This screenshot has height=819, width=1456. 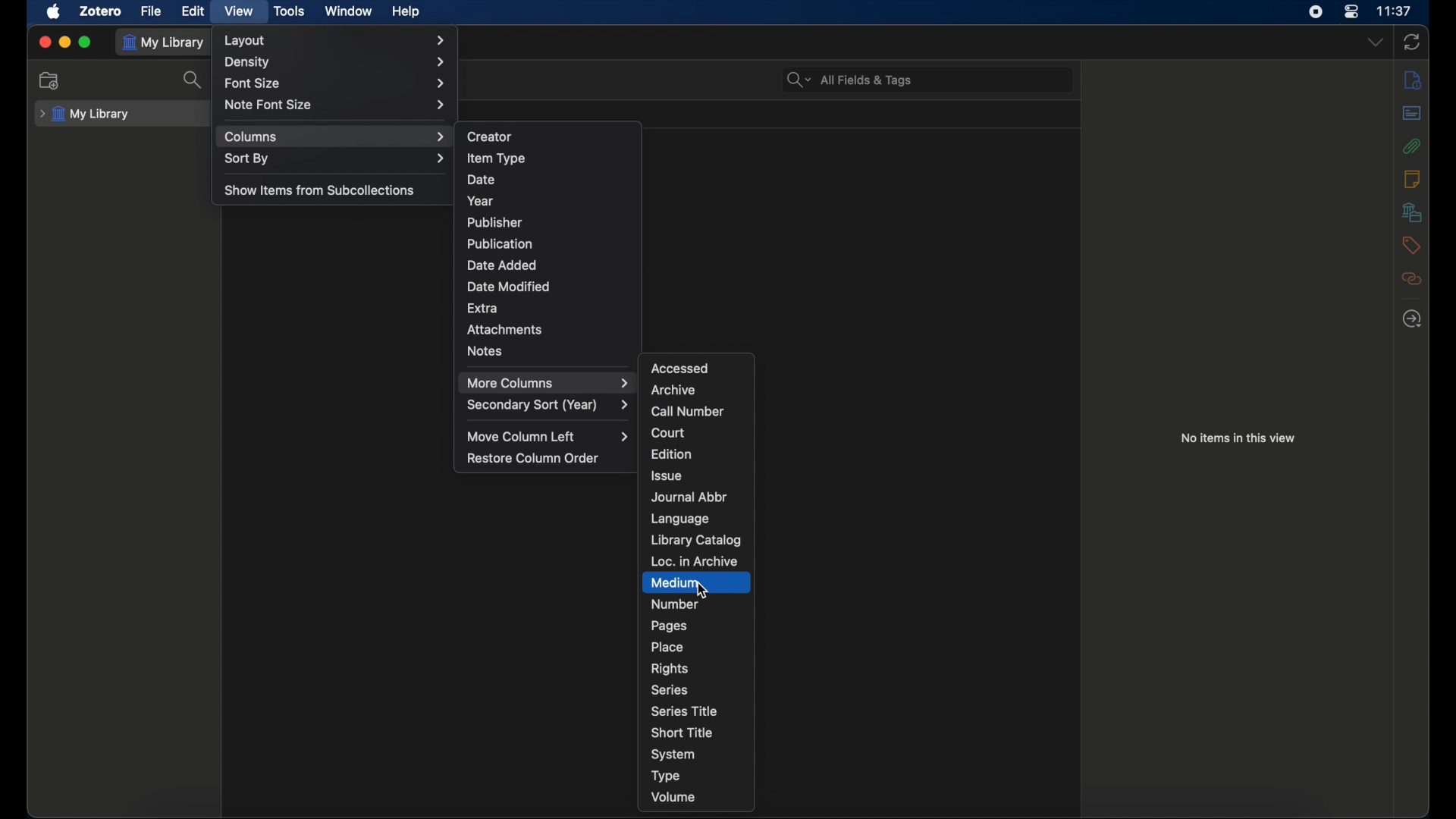 I want to click on journal abbr, so click(x=689, y=497).